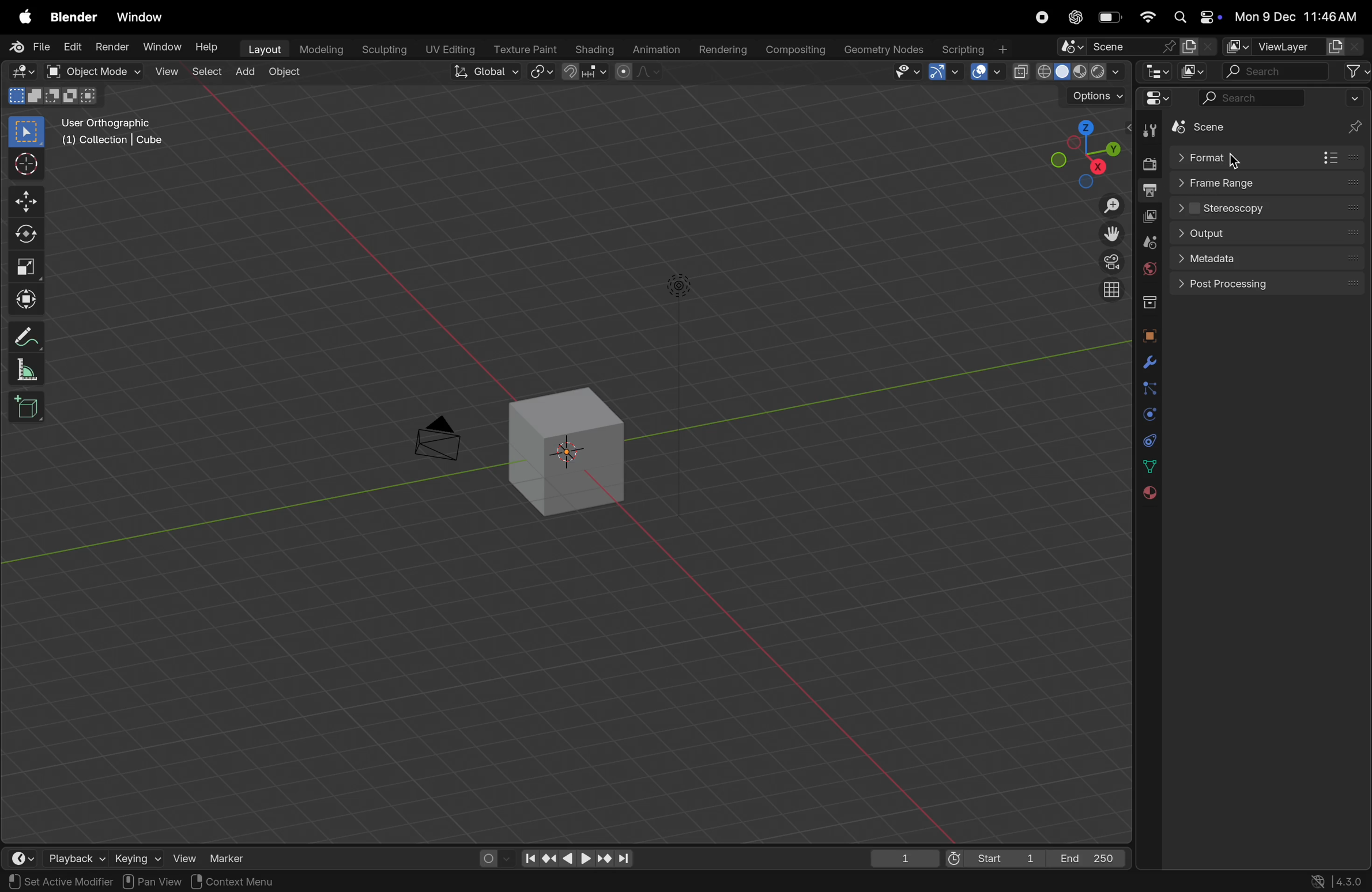 The width and height of the screenshot is (1372, 892). Describe the element at coordinates (139, 17) in the screenshot. I see `window` at that location.